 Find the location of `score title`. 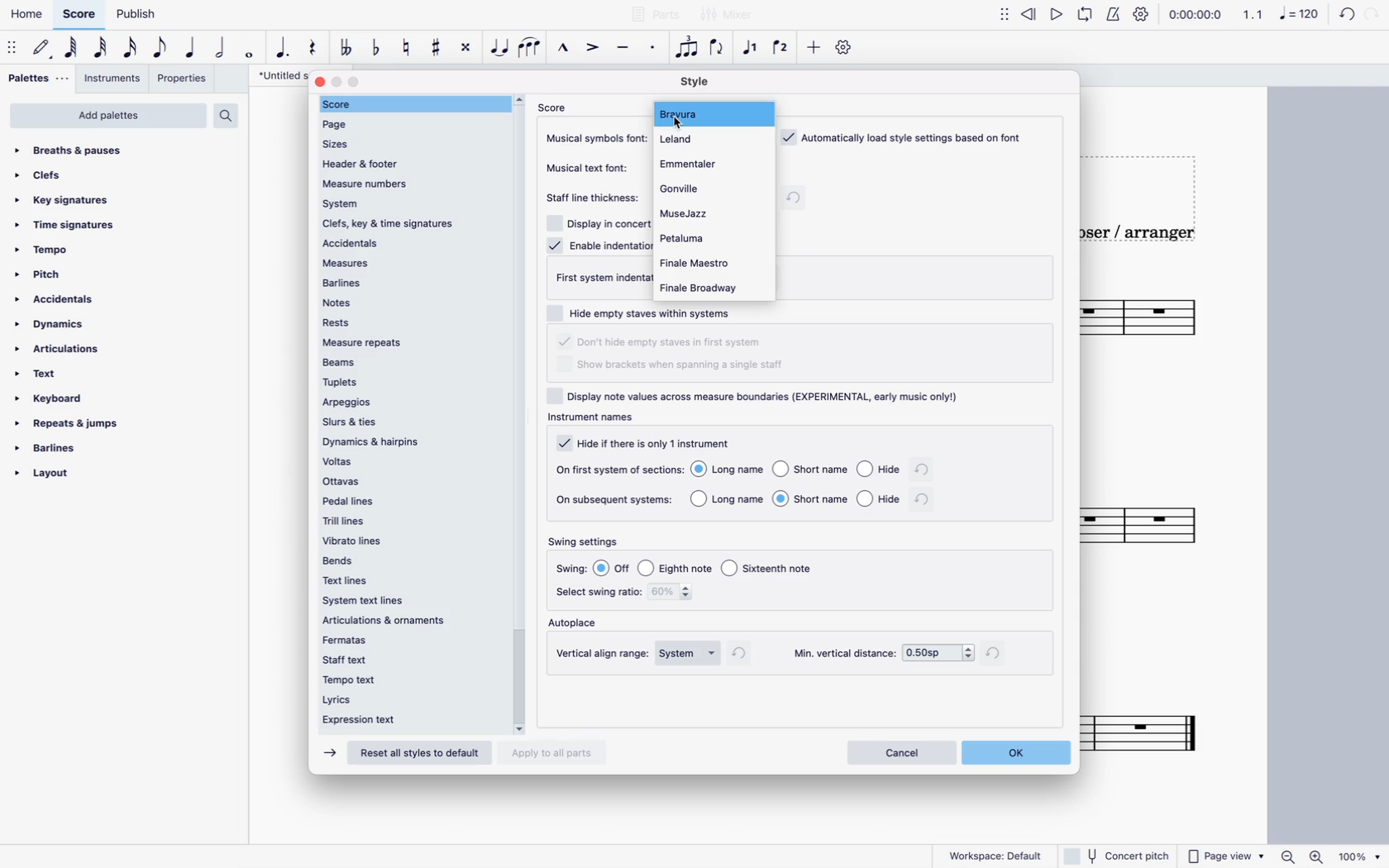

score title is located at coordinates (274, 74).